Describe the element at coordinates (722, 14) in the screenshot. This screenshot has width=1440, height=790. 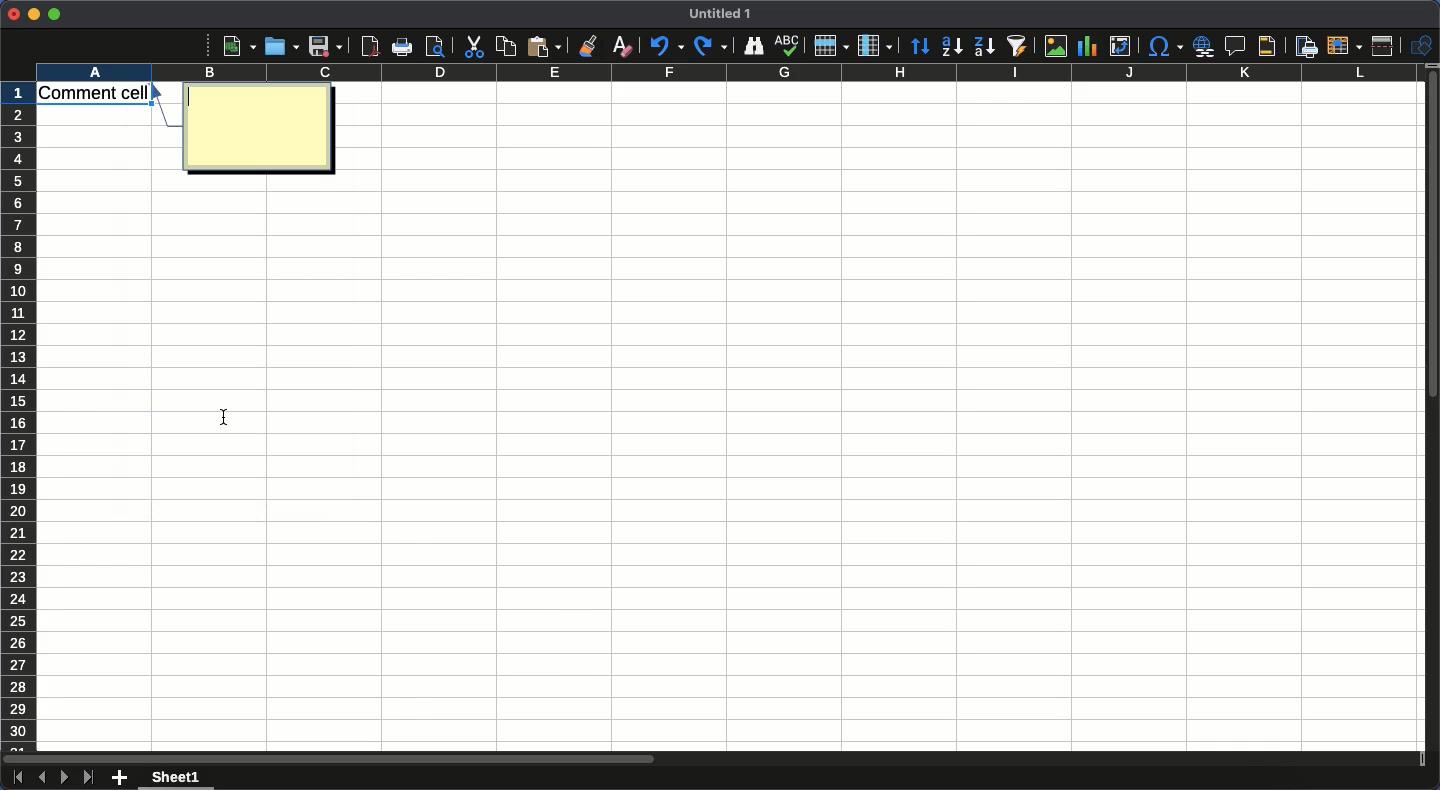
I see `Title` at that location.